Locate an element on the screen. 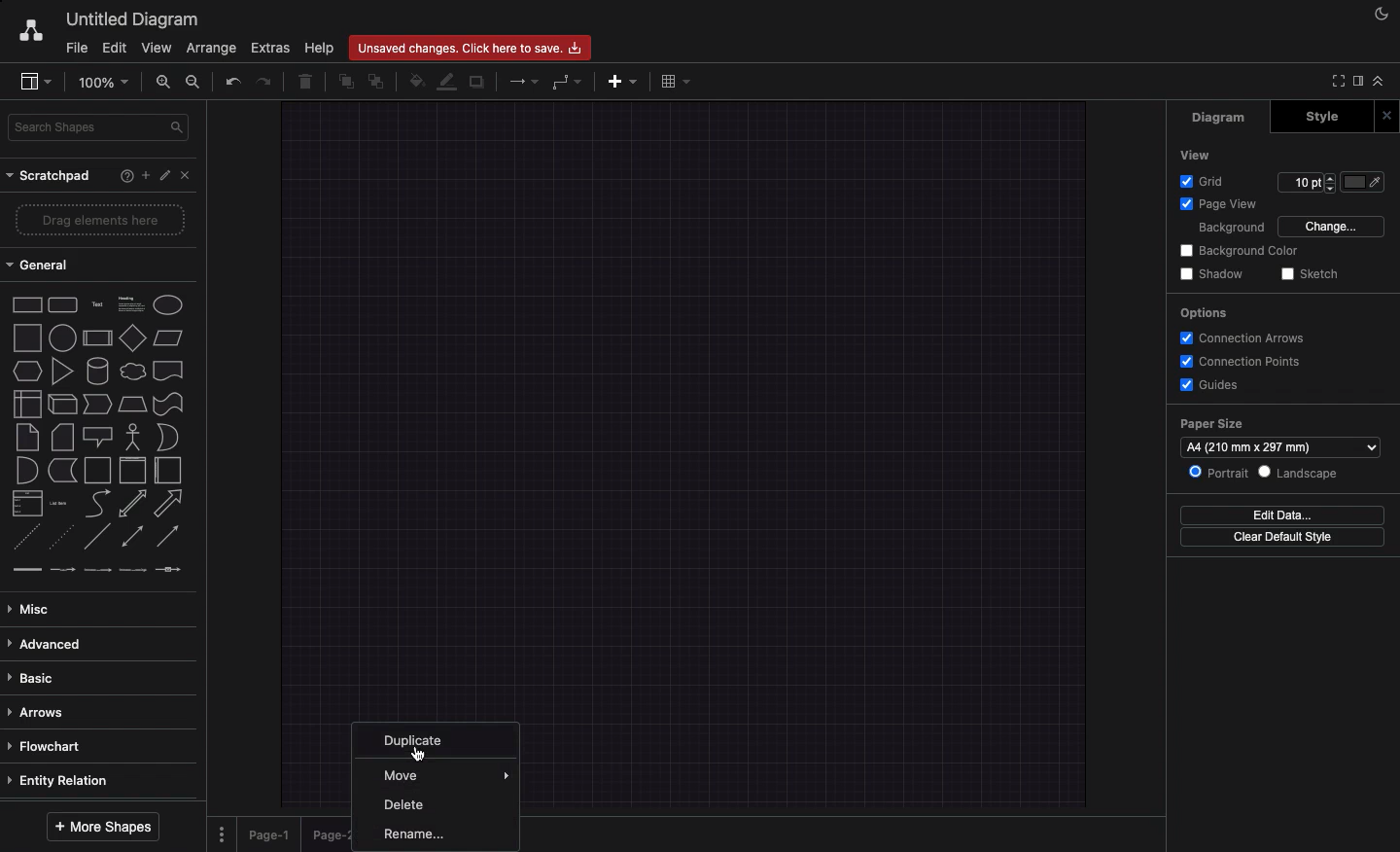  View is located at coordinates (1195, 155).